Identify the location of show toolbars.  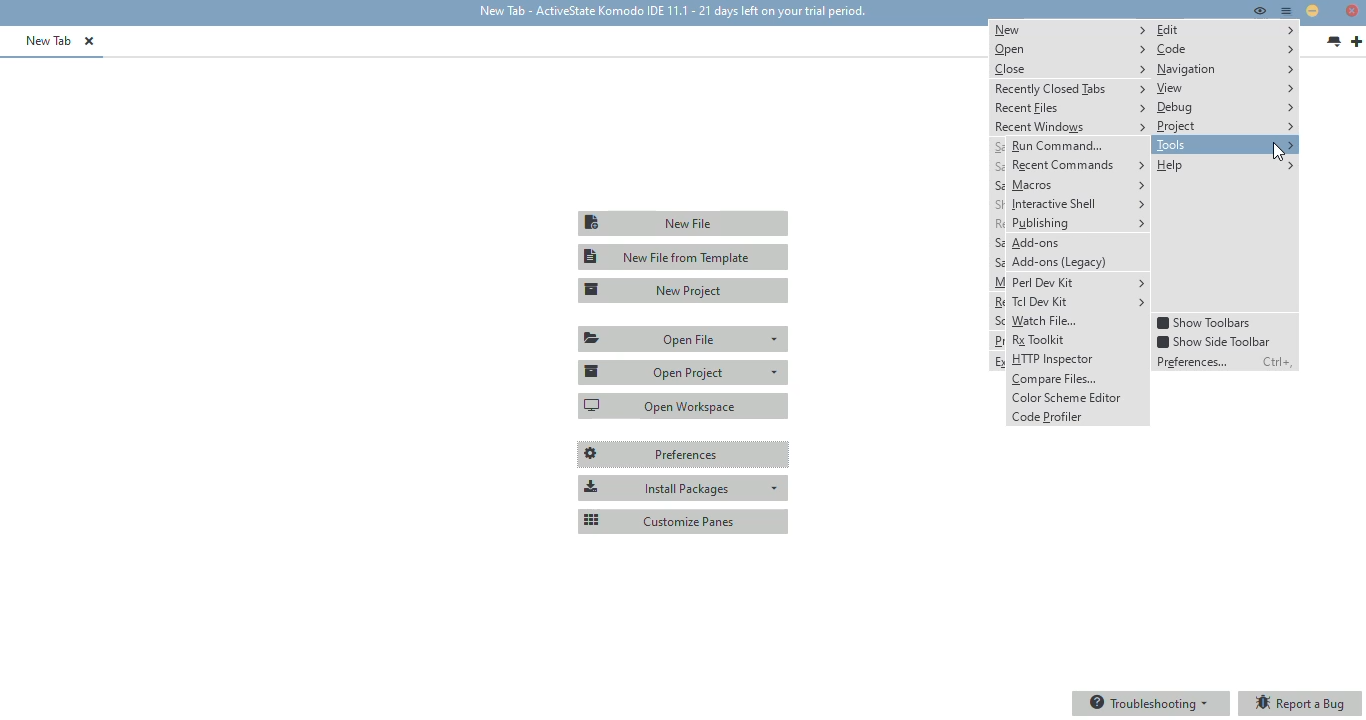
(1205, 323).